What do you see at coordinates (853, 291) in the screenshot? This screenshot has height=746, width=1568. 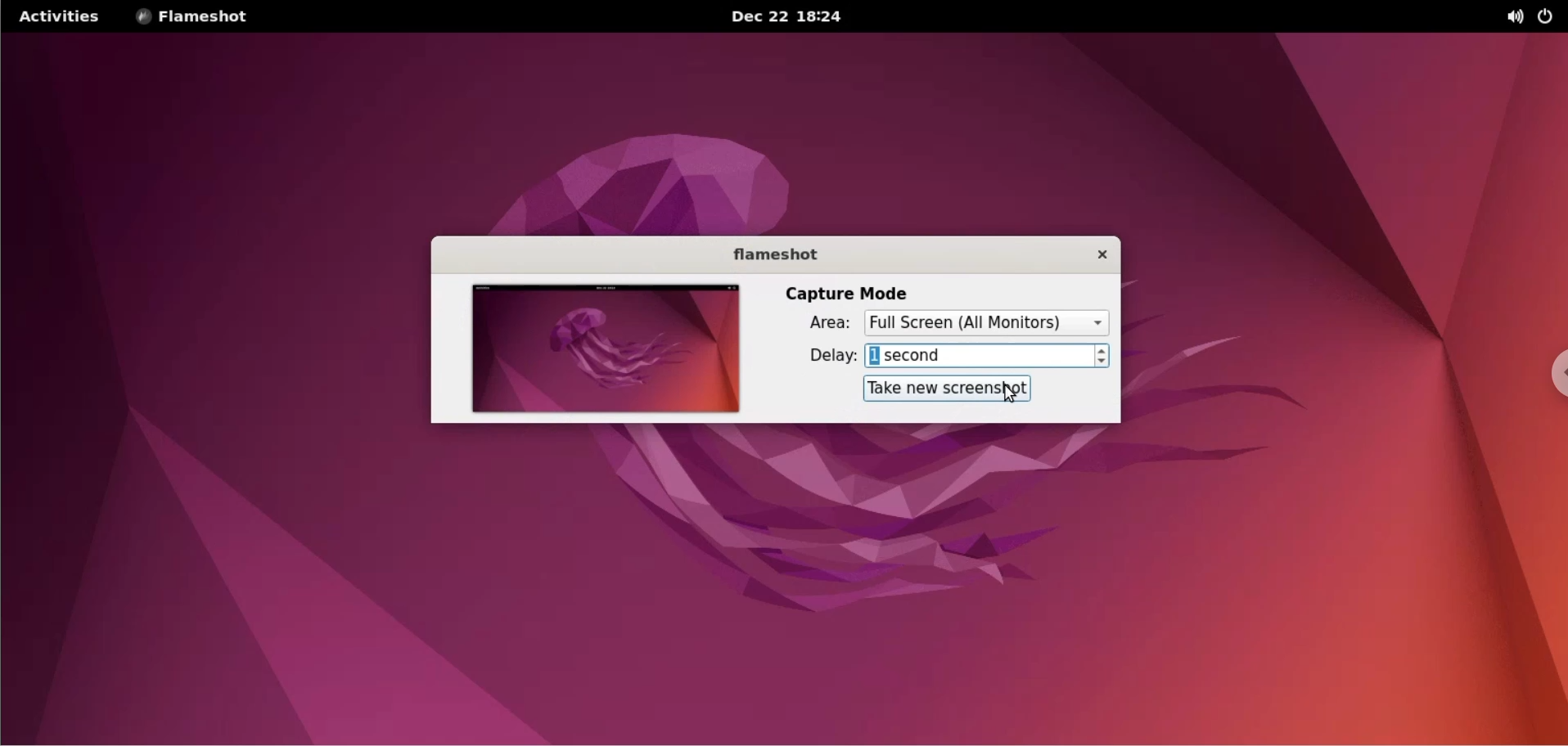 I see `capture mode label` at bounding box center [853, 291].